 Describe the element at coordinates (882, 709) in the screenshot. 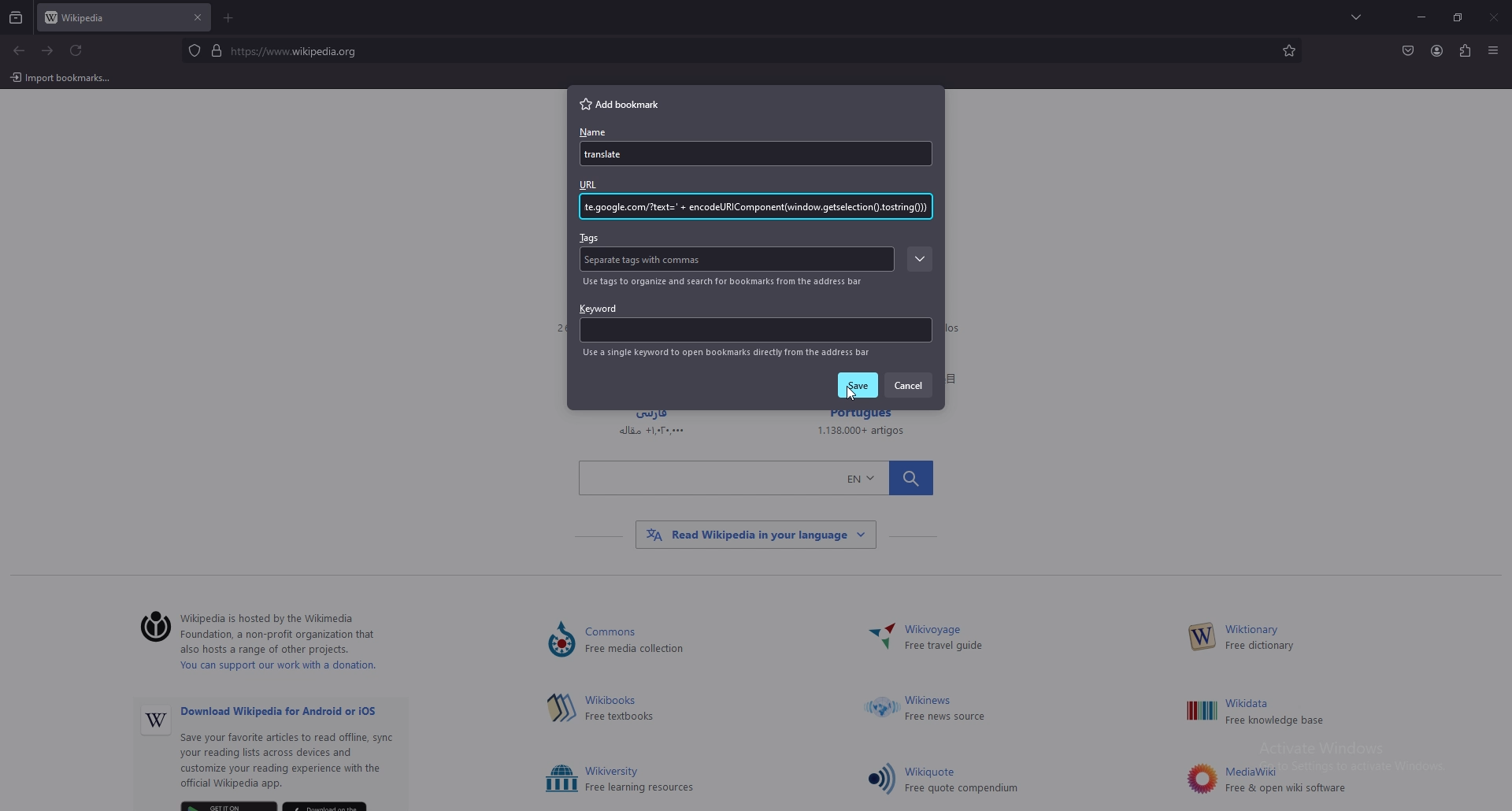

I see `` at that location.